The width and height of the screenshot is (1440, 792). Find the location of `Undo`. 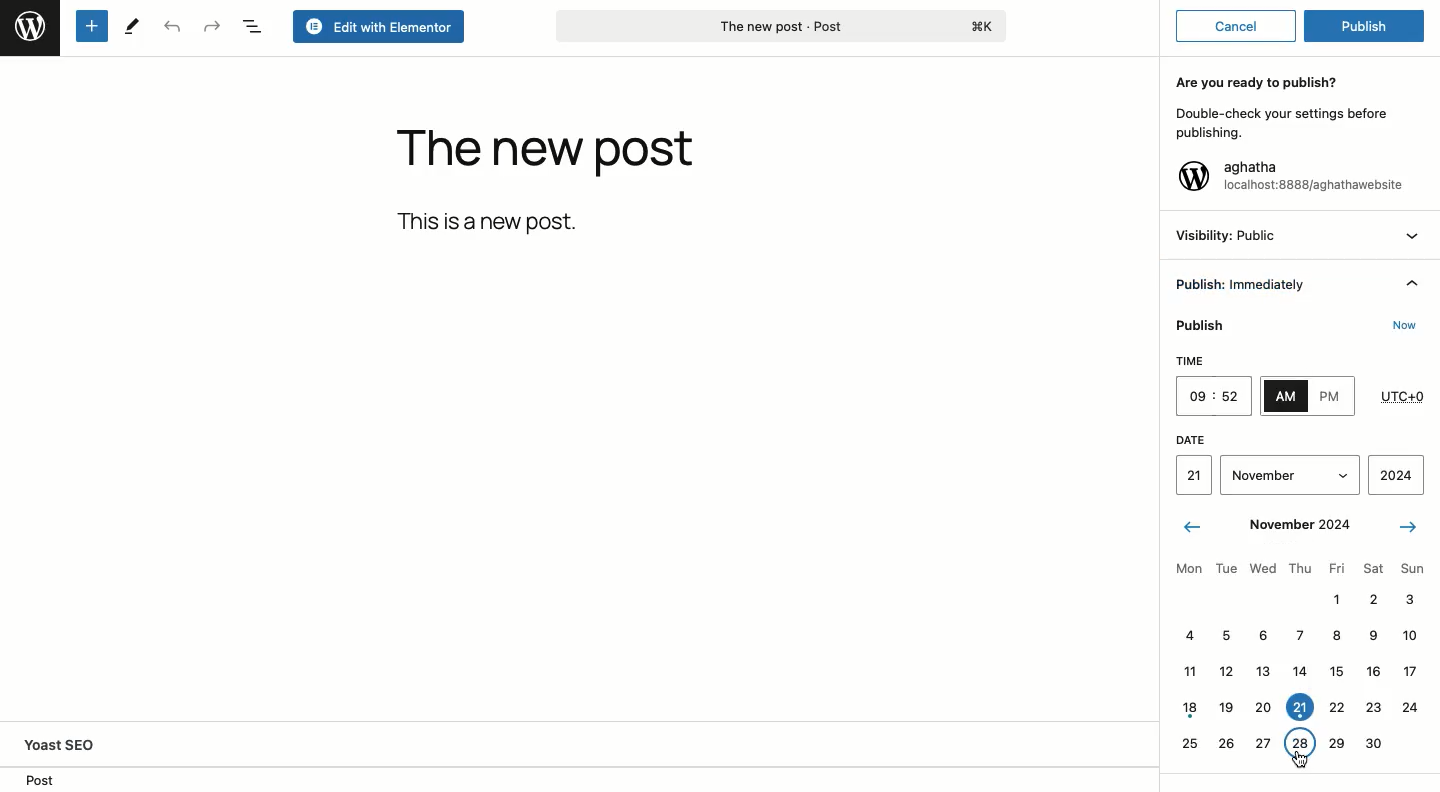

Undo is located at coordinates (172, 27).